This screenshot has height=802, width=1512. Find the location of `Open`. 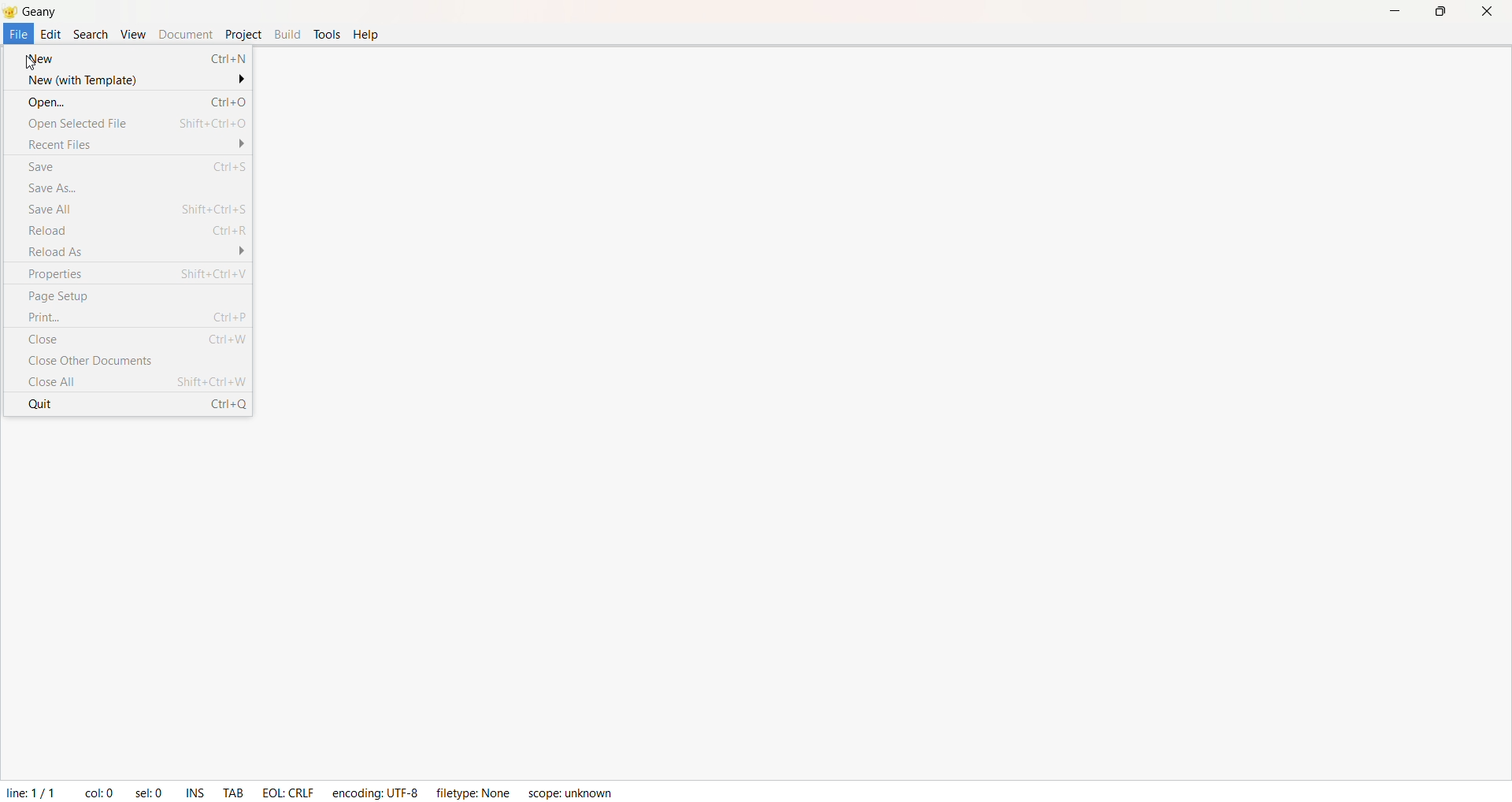

Open is located at coordinates (135, 102).